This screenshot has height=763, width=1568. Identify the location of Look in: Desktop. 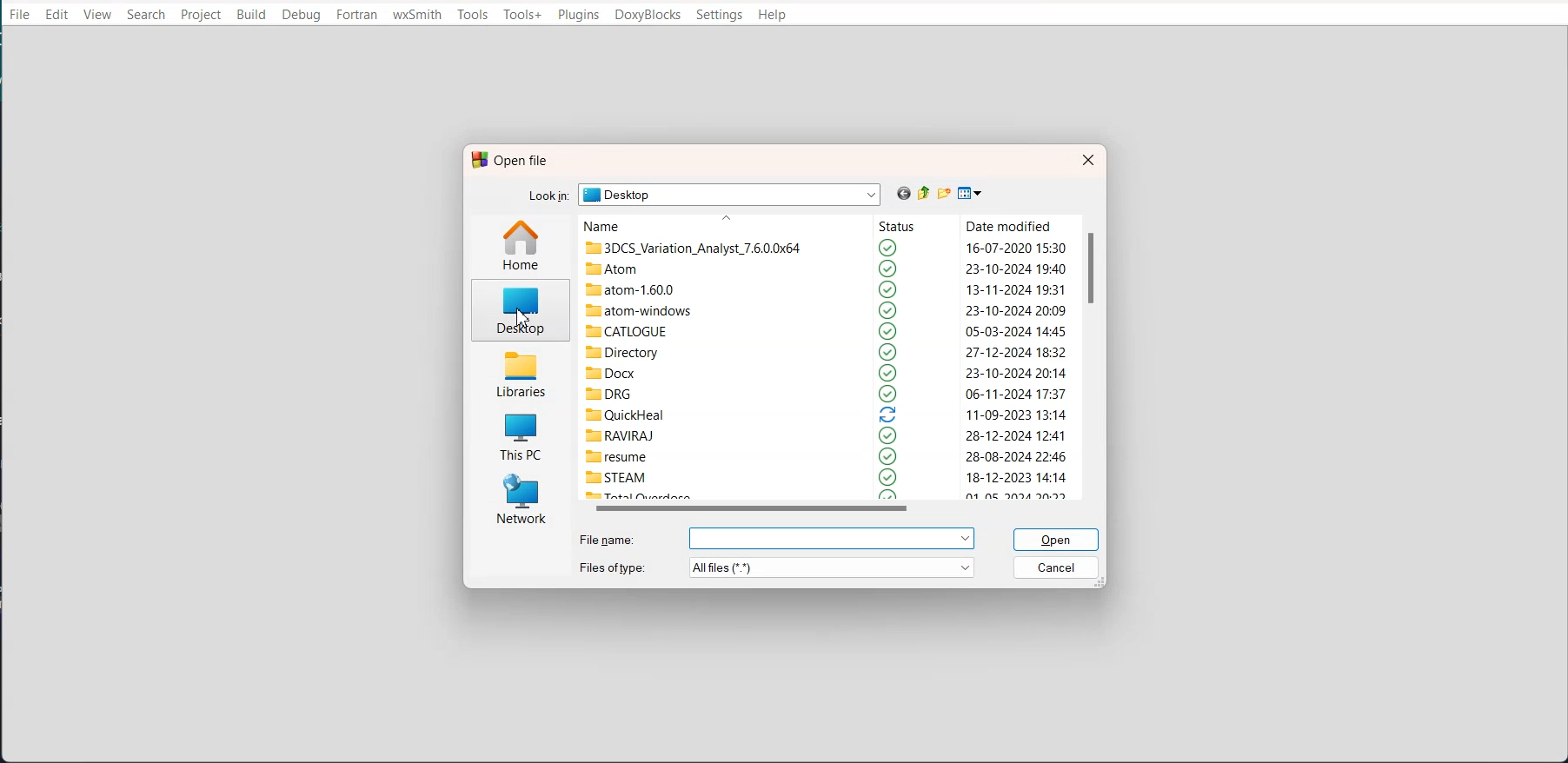
(702, 194).